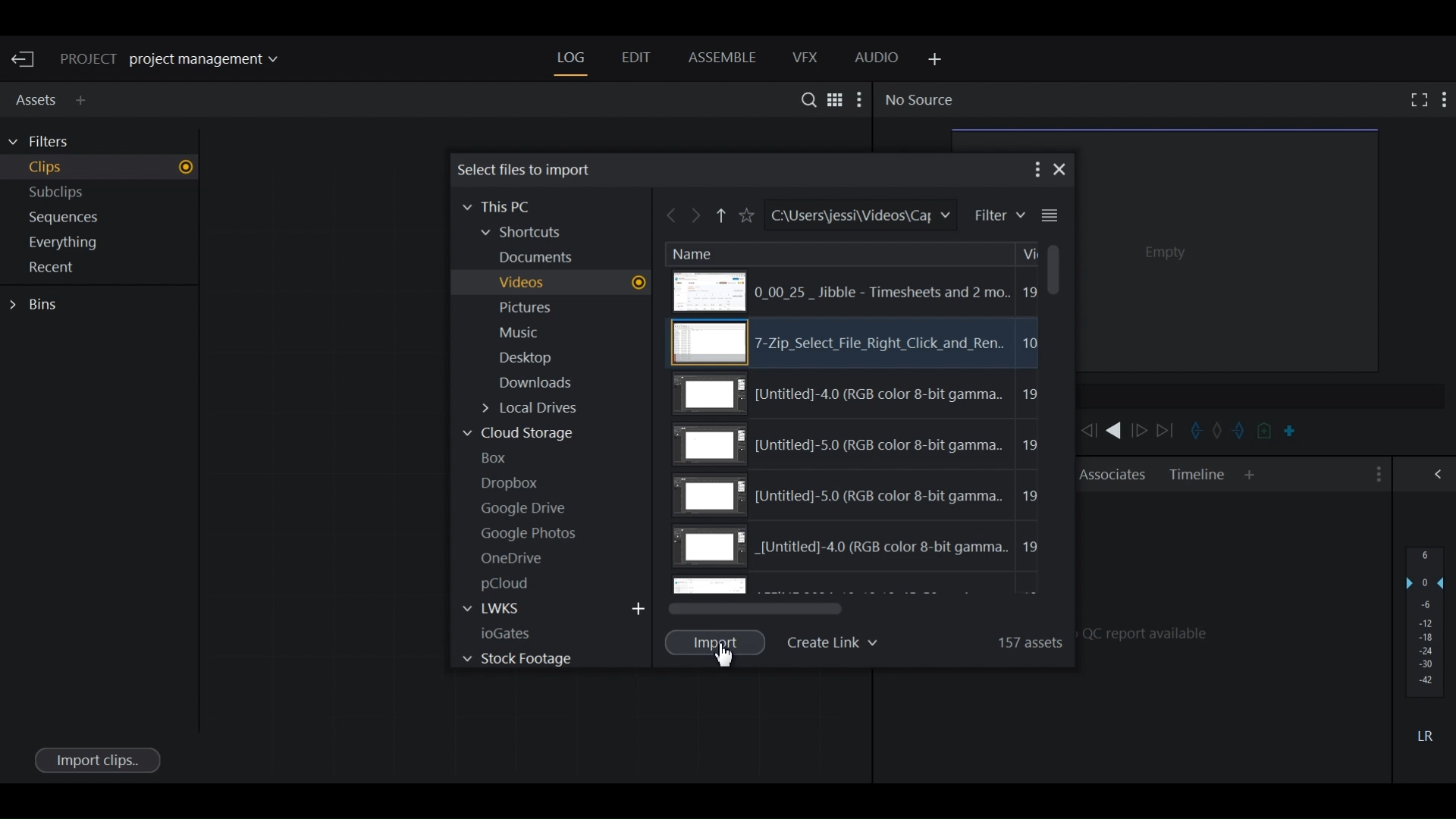  I want to click on RGB color, so click(859, 549).